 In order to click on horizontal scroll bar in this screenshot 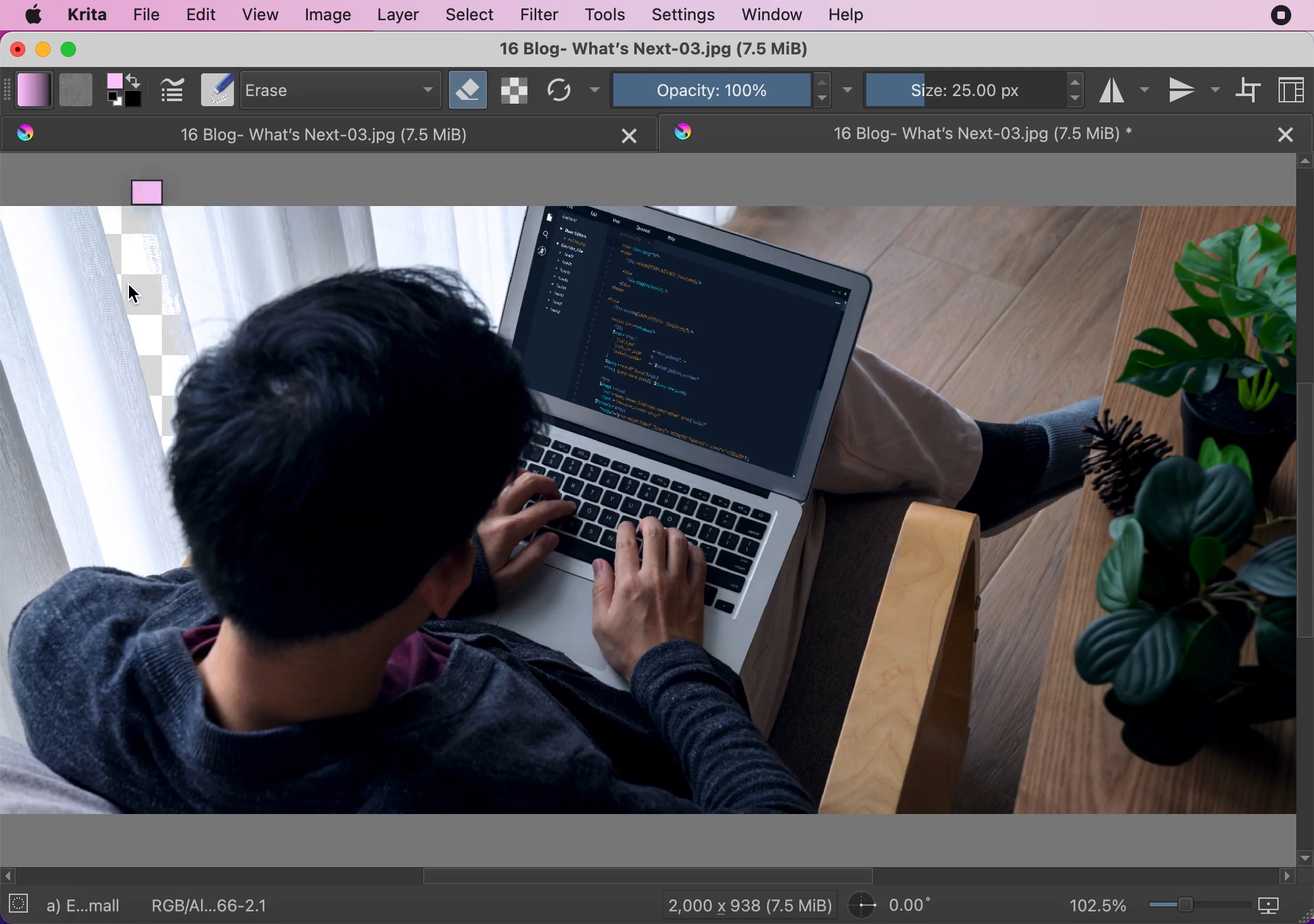, I will do `click(649, 877)`.